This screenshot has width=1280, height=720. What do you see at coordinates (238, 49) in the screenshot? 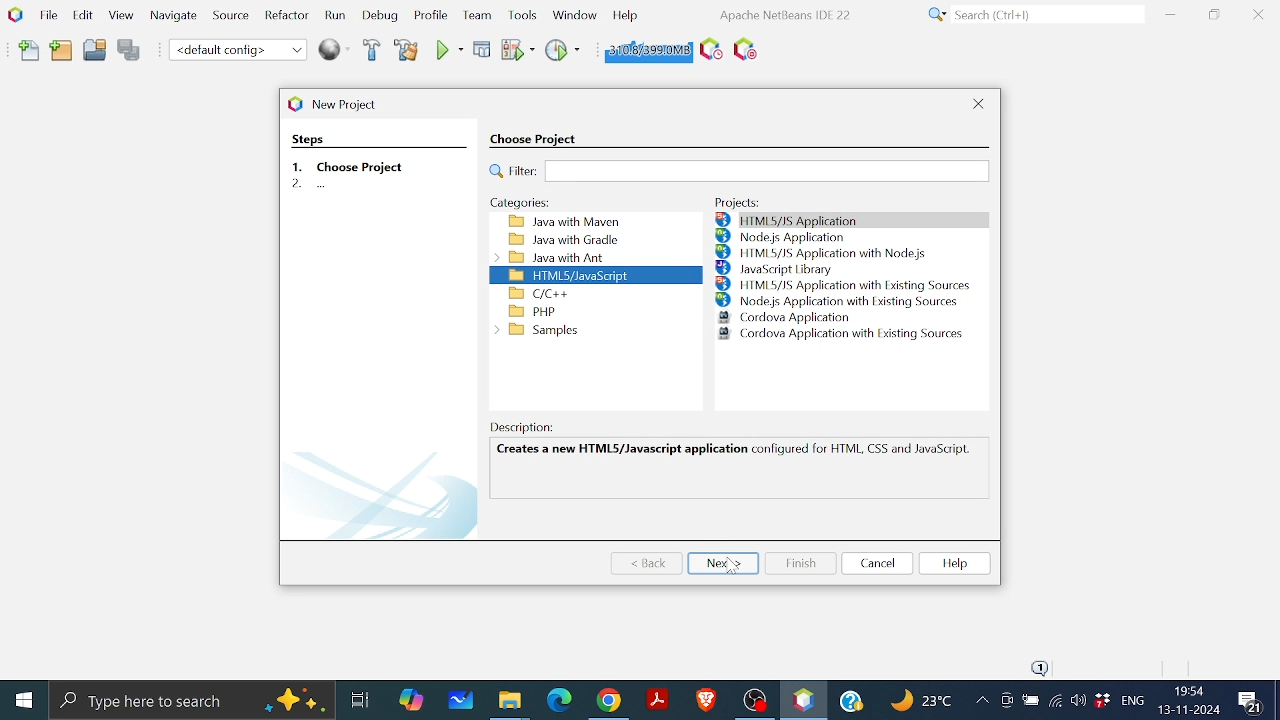
I see `Default coding` at bounding box center [238, 49].